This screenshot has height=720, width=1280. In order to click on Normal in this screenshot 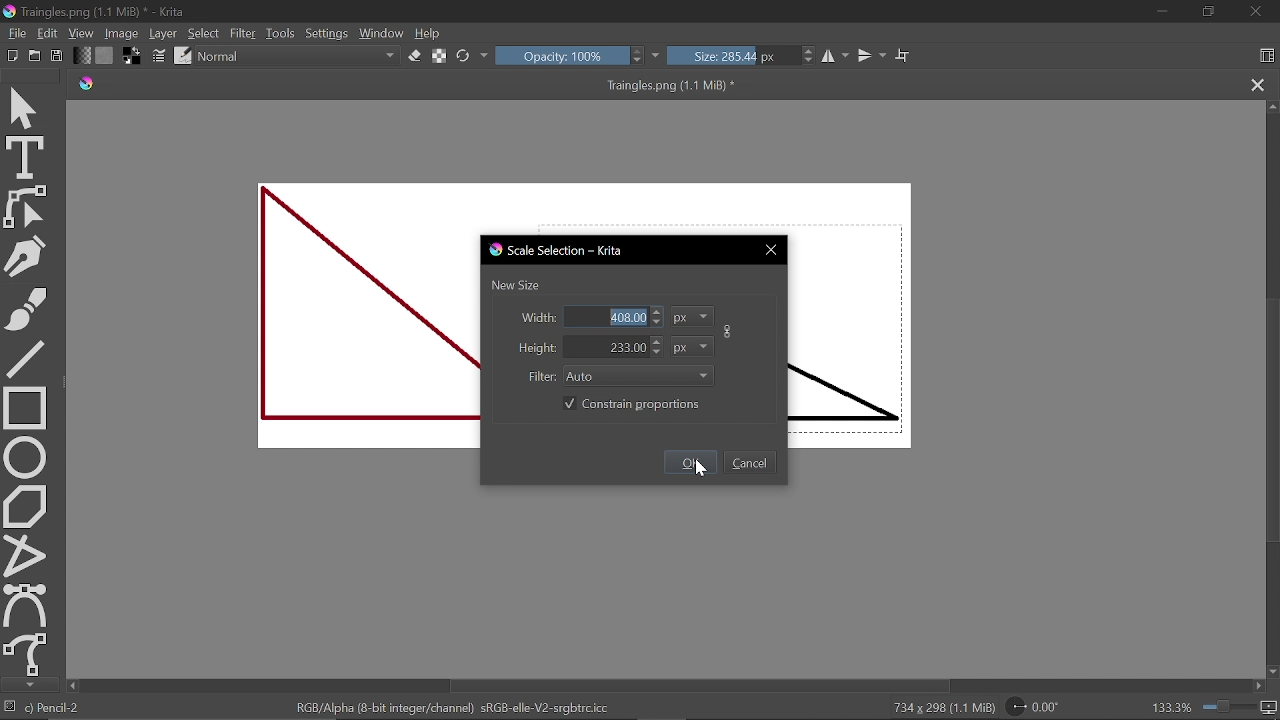, I will do `click(298, 57)`.